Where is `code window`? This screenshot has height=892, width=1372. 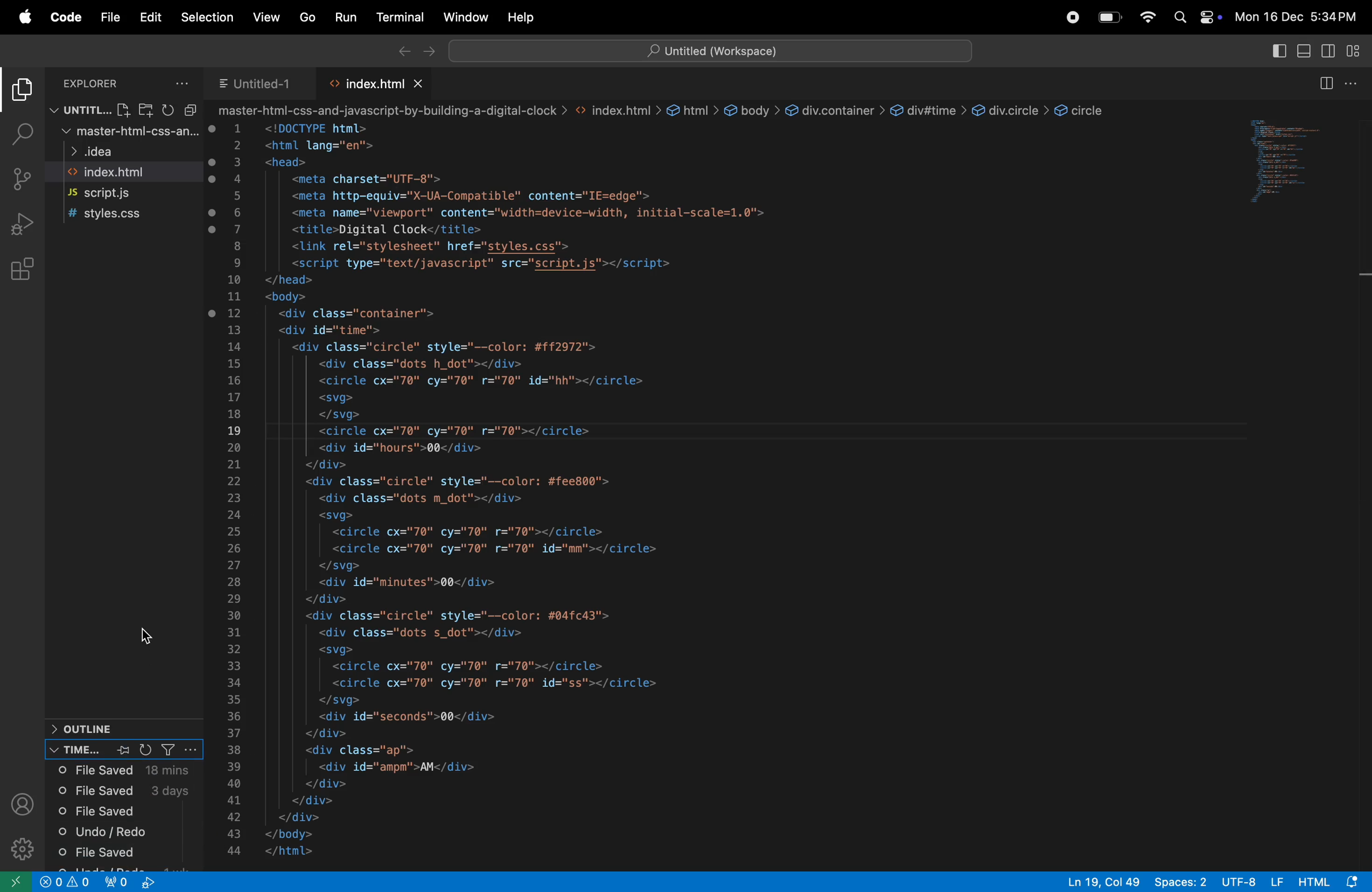 code window is located at coordinates (1298, 158).